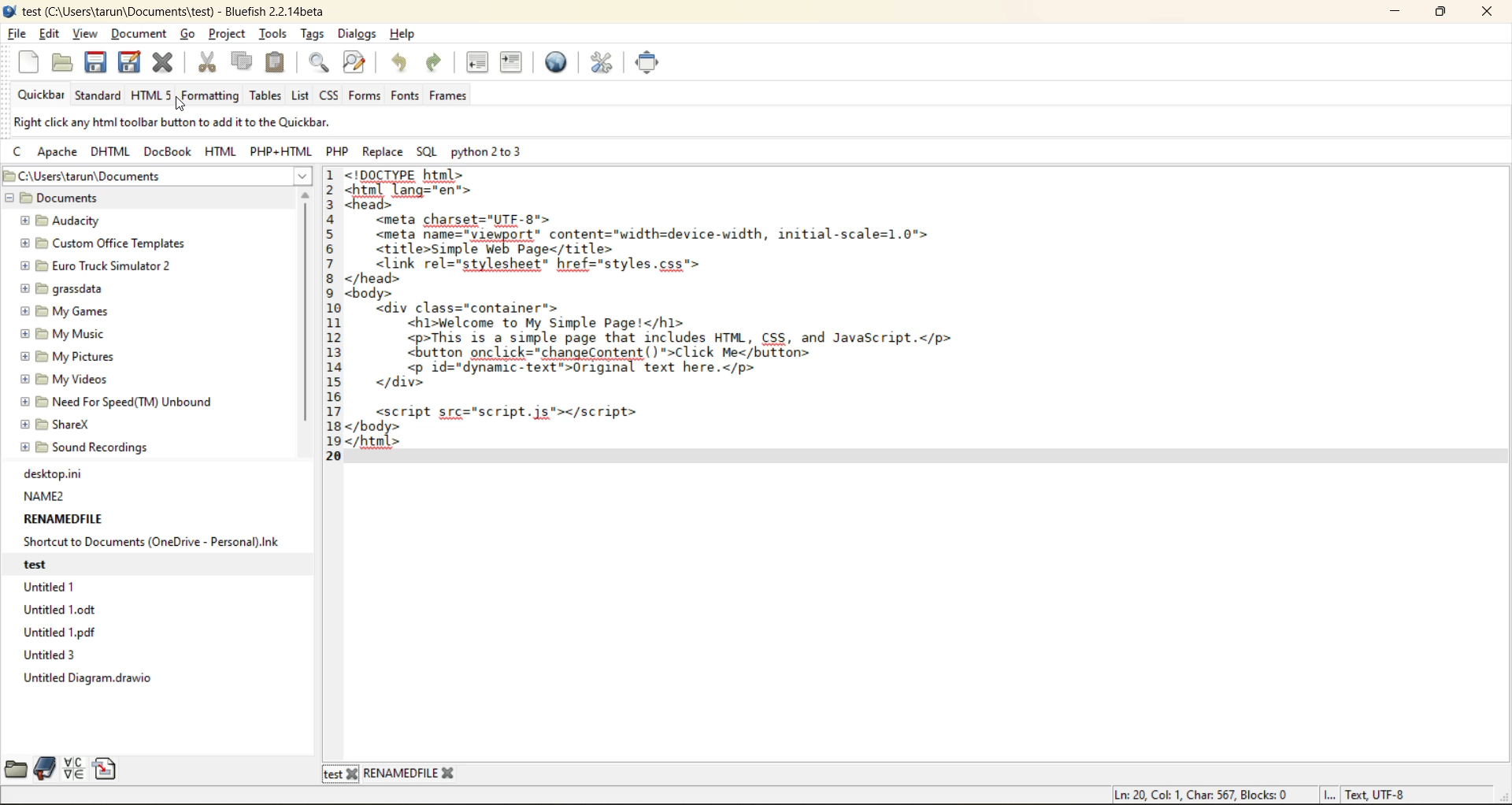 This screenshot has height=805, width=1512. Describe the element at coordinates (476, 61) in the screenshot. I see `unindent` at that location.